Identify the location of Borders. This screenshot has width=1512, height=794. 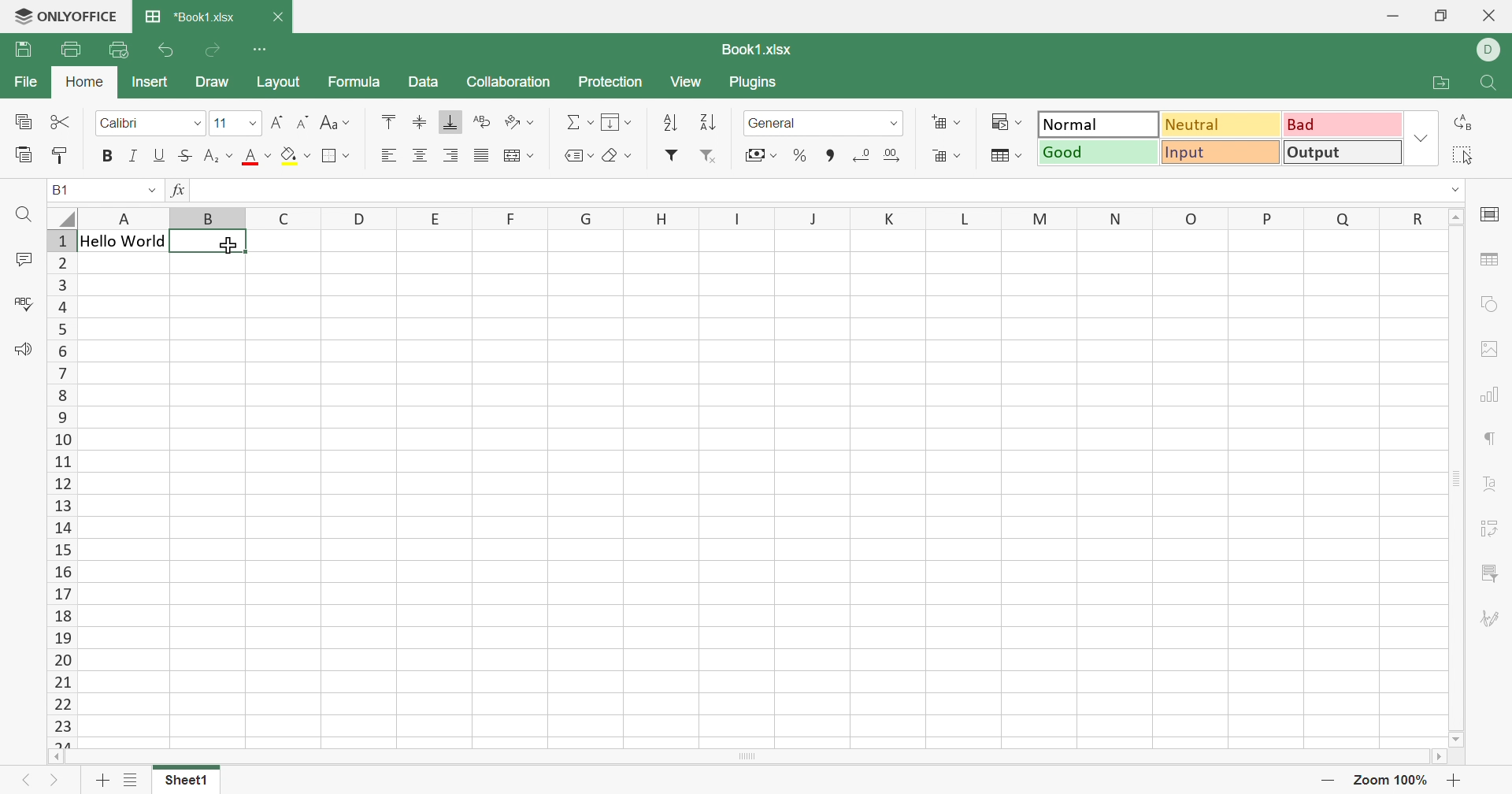
(336, 155).